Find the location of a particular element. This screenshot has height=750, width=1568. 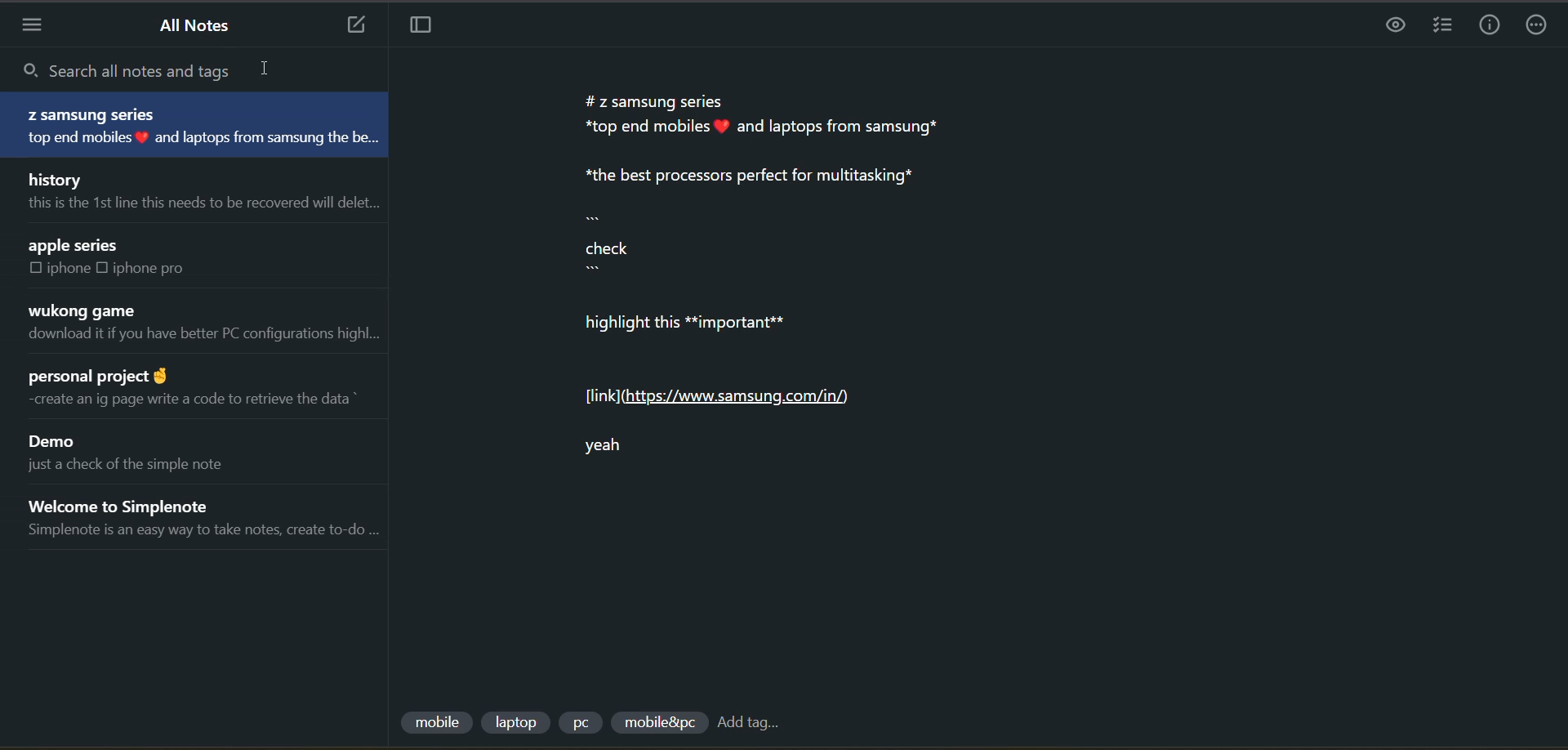

Z samsung series is located at coordinates (91, 113).